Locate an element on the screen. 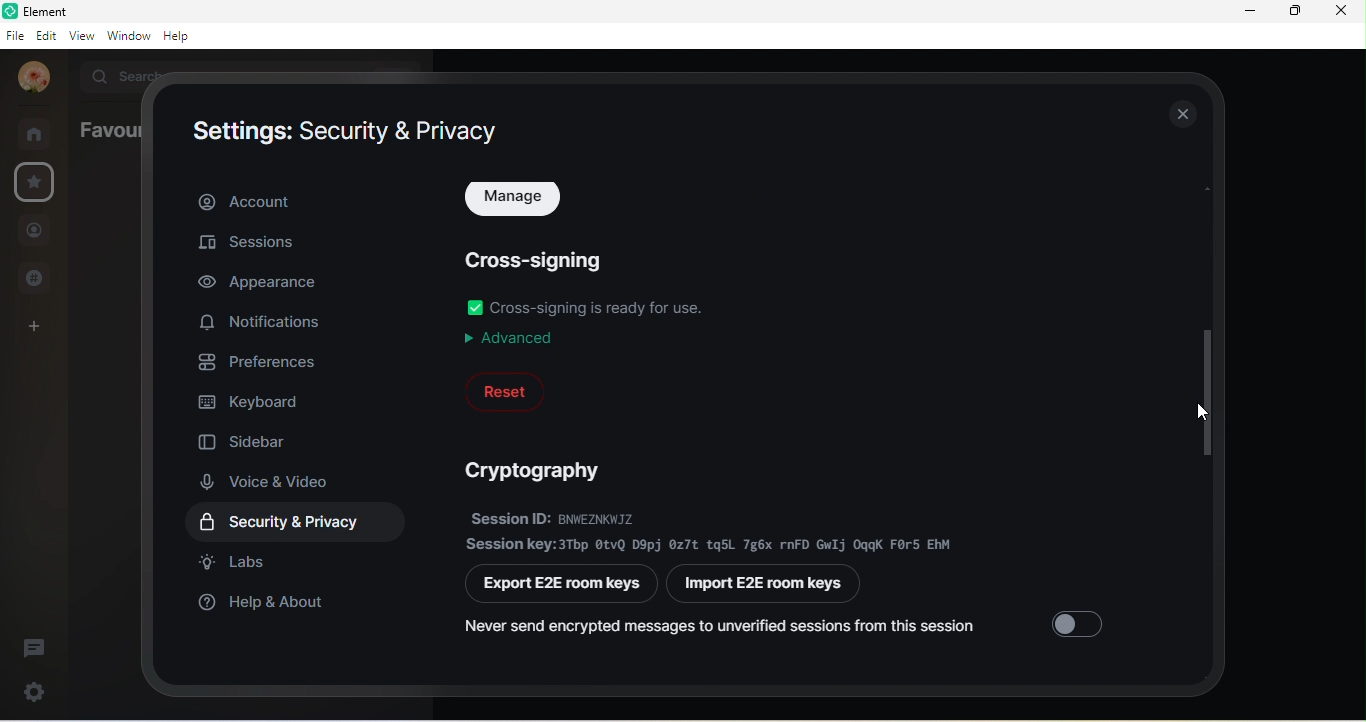 The image size is (1366, 722). cross signing is ready for use is located at coordinates (602, 306).